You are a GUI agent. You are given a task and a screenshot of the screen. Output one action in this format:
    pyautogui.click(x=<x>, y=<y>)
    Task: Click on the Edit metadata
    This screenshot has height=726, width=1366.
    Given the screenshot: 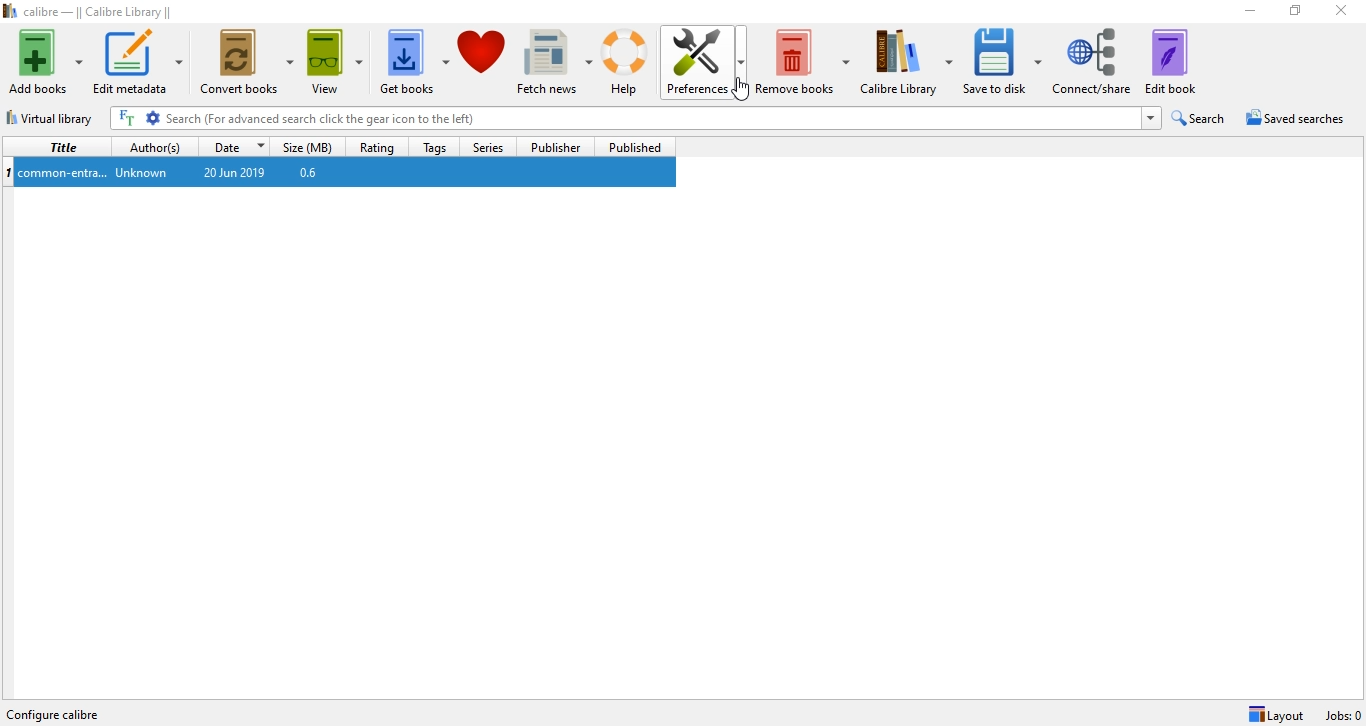 What is the action you would take?
    pyautogui.click(x=140, y=62)
    